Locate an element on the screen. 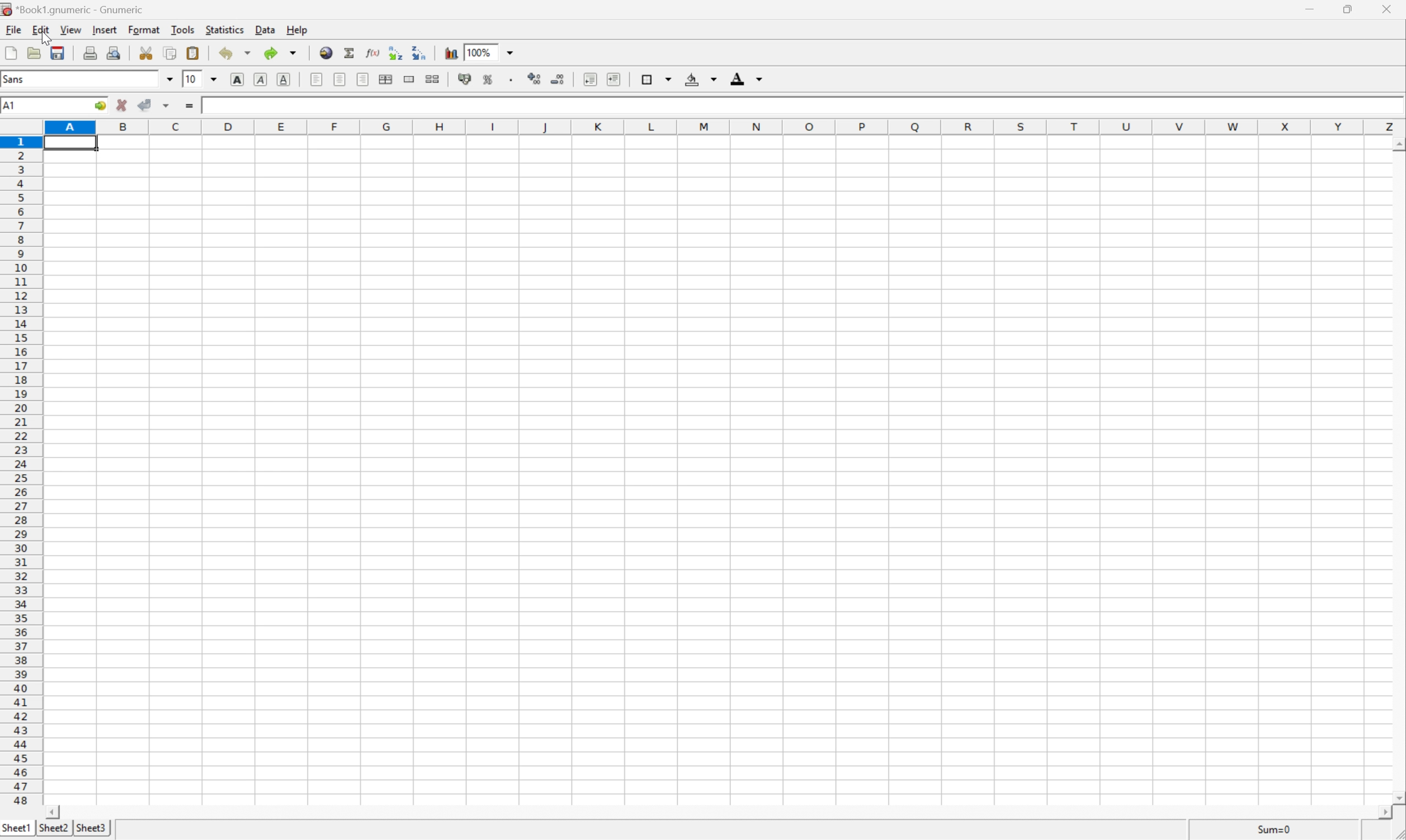 This screenshot has width=1406, height=840. scroll left is located at coordinates (68, 813).